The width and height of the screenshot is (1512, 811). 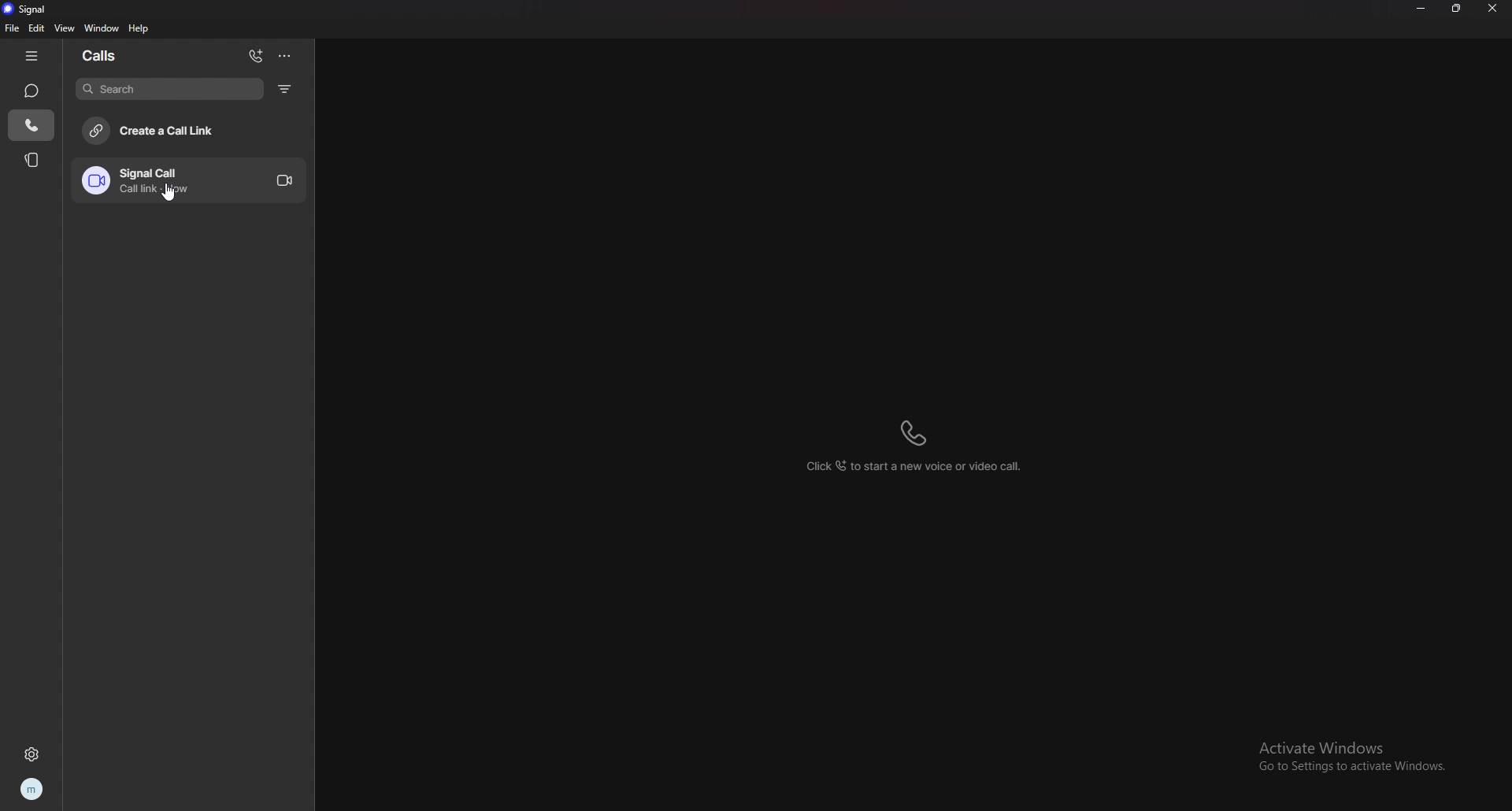 I want to click on profile, so click(x=34, y=789).